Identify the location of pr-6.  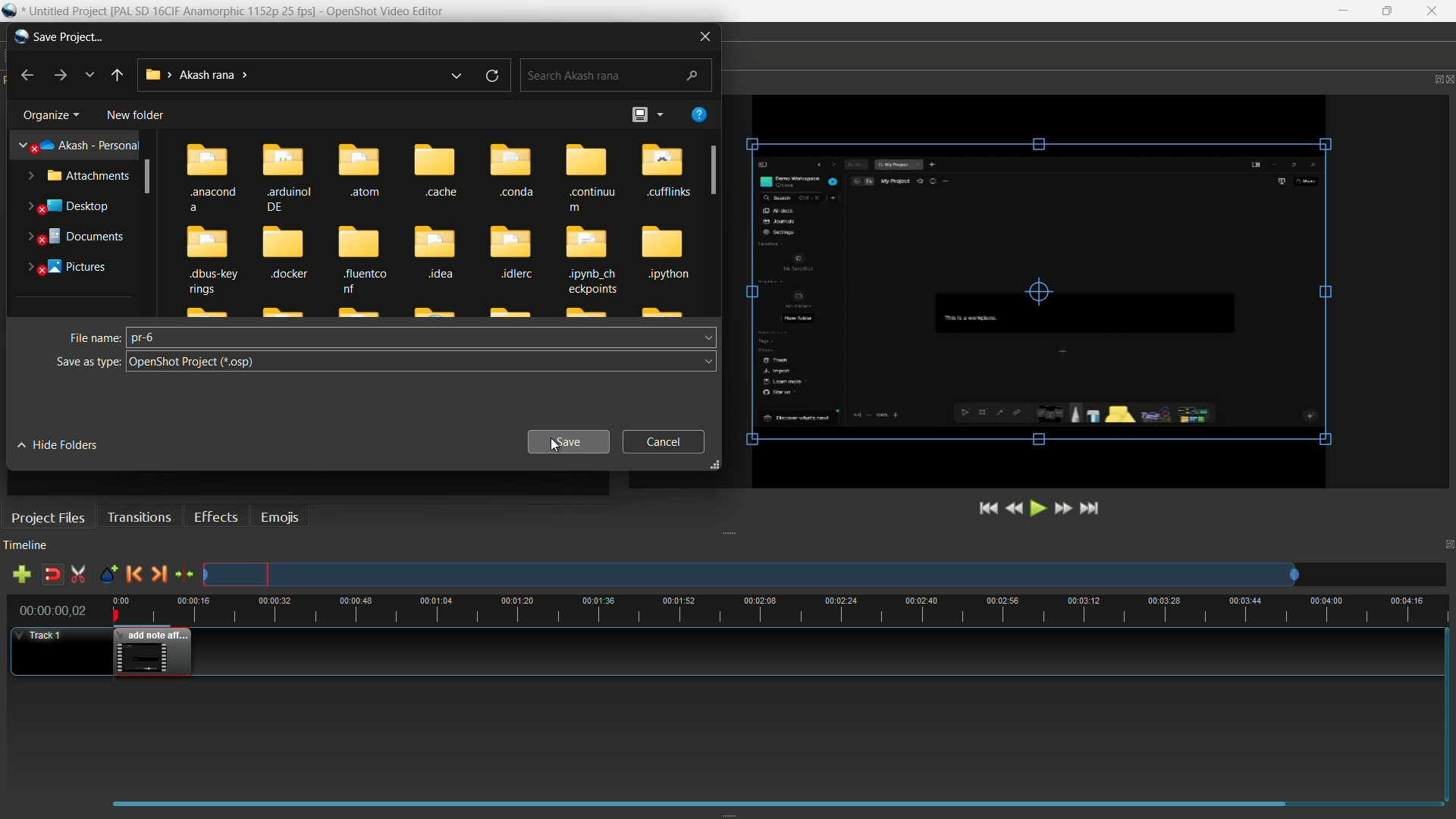
(143, 337).